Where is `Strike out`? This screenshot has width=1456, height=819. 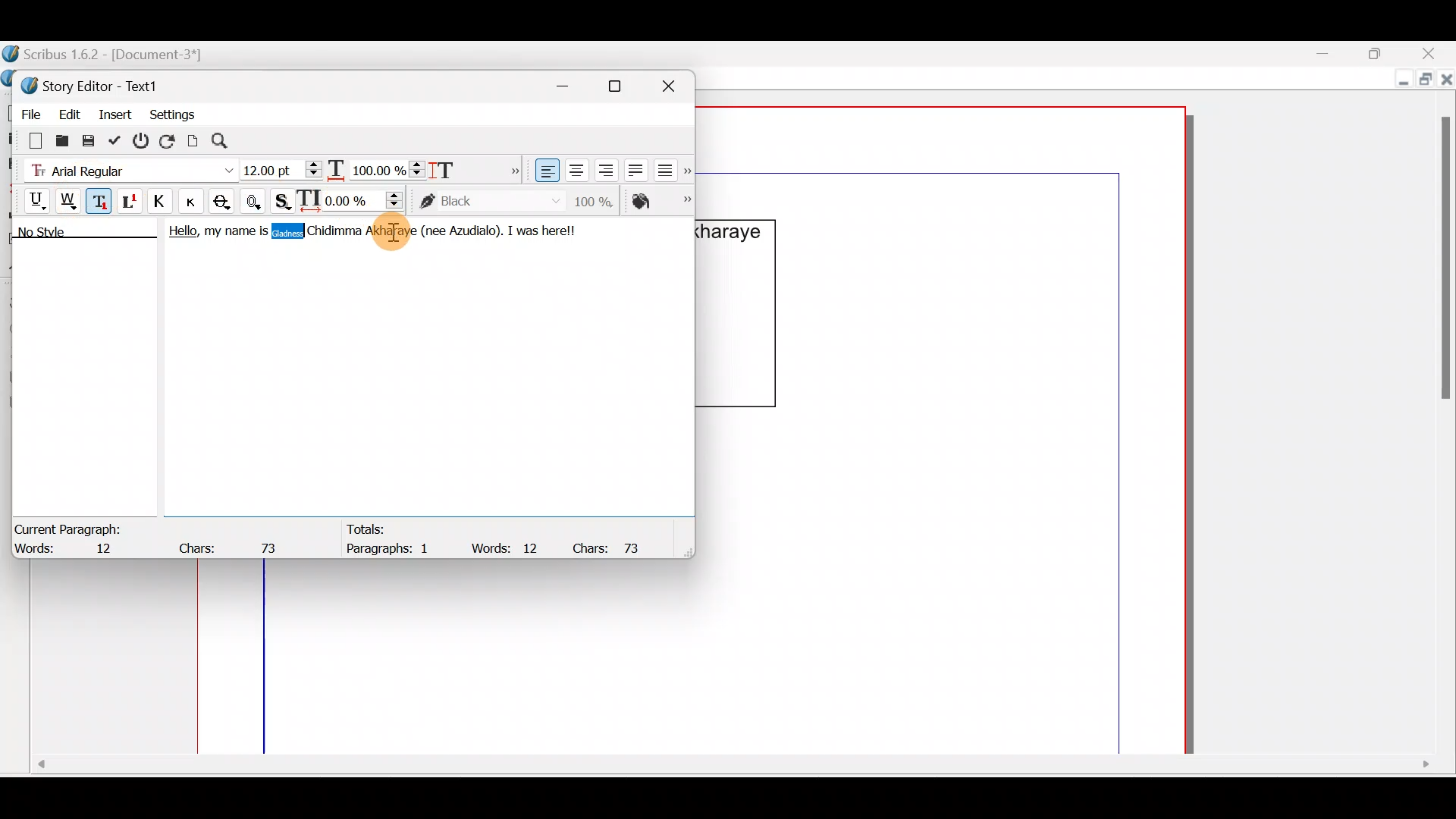 Strike out is located at coordinates (226, 202).